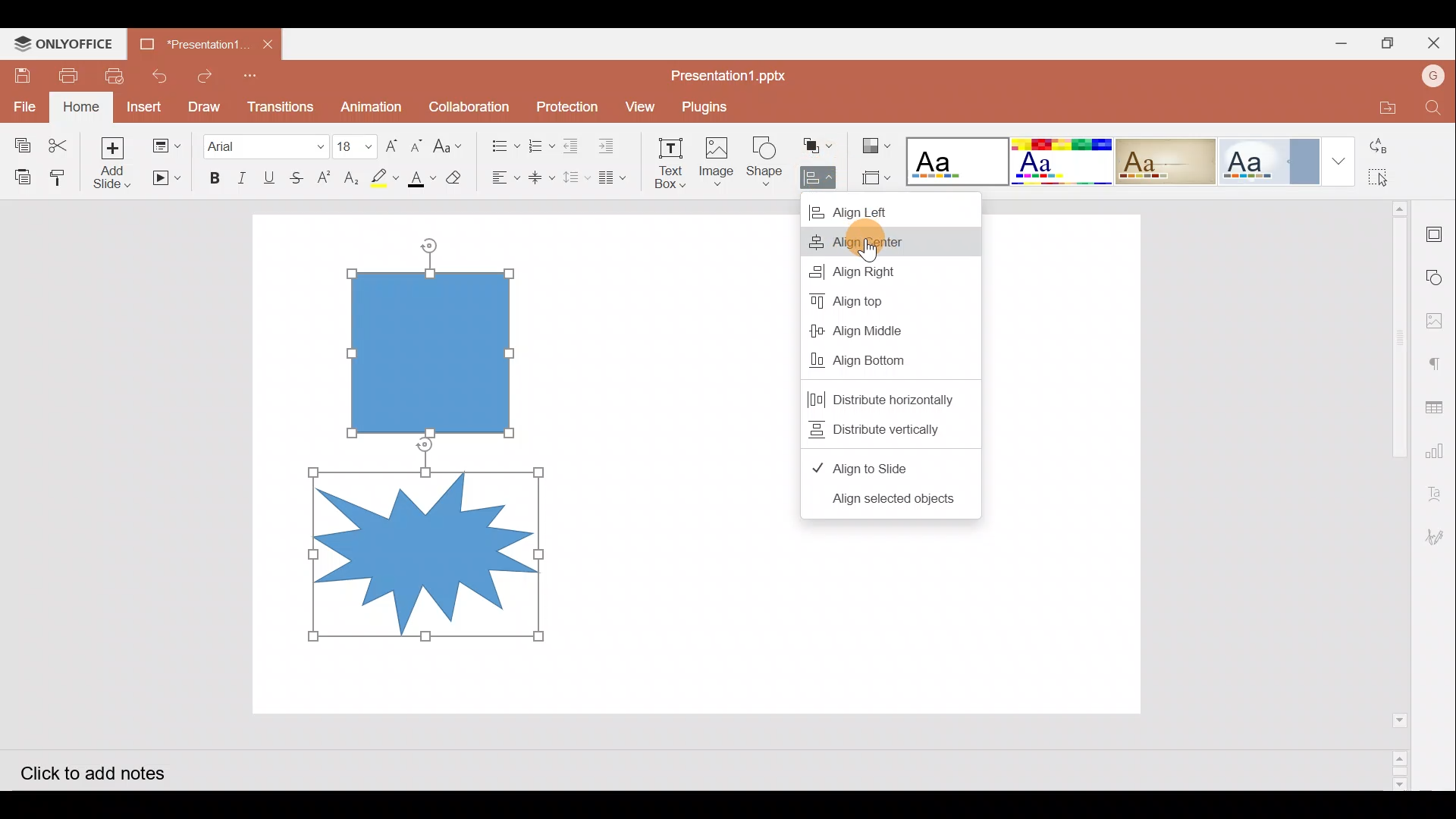  Describe the element at coordinates (1438, 360) in the screenshot. I see `Paragraph settings` at that location.